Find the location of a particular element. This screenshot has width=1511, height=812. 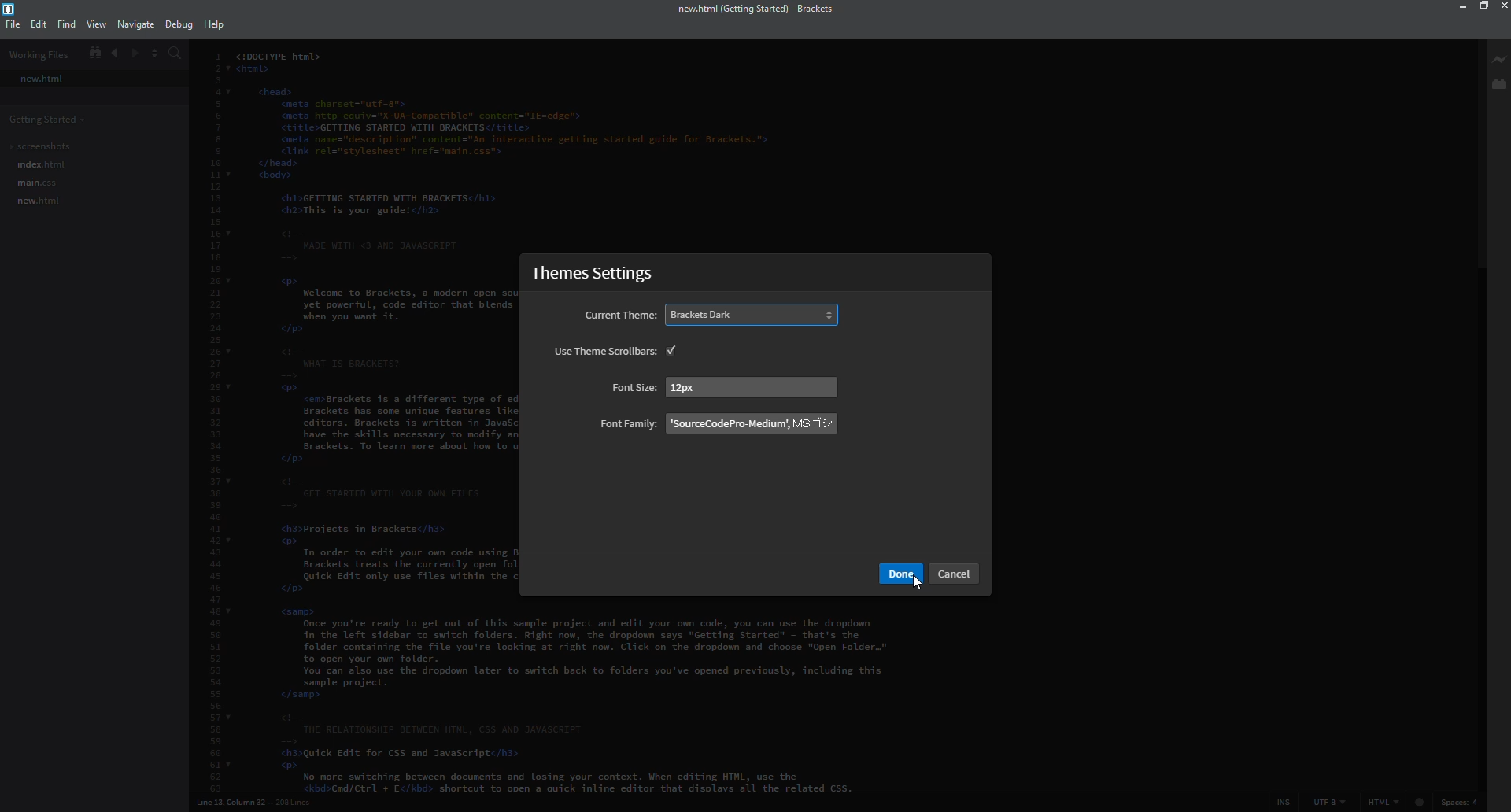

view is located at coordinates (97, 24).